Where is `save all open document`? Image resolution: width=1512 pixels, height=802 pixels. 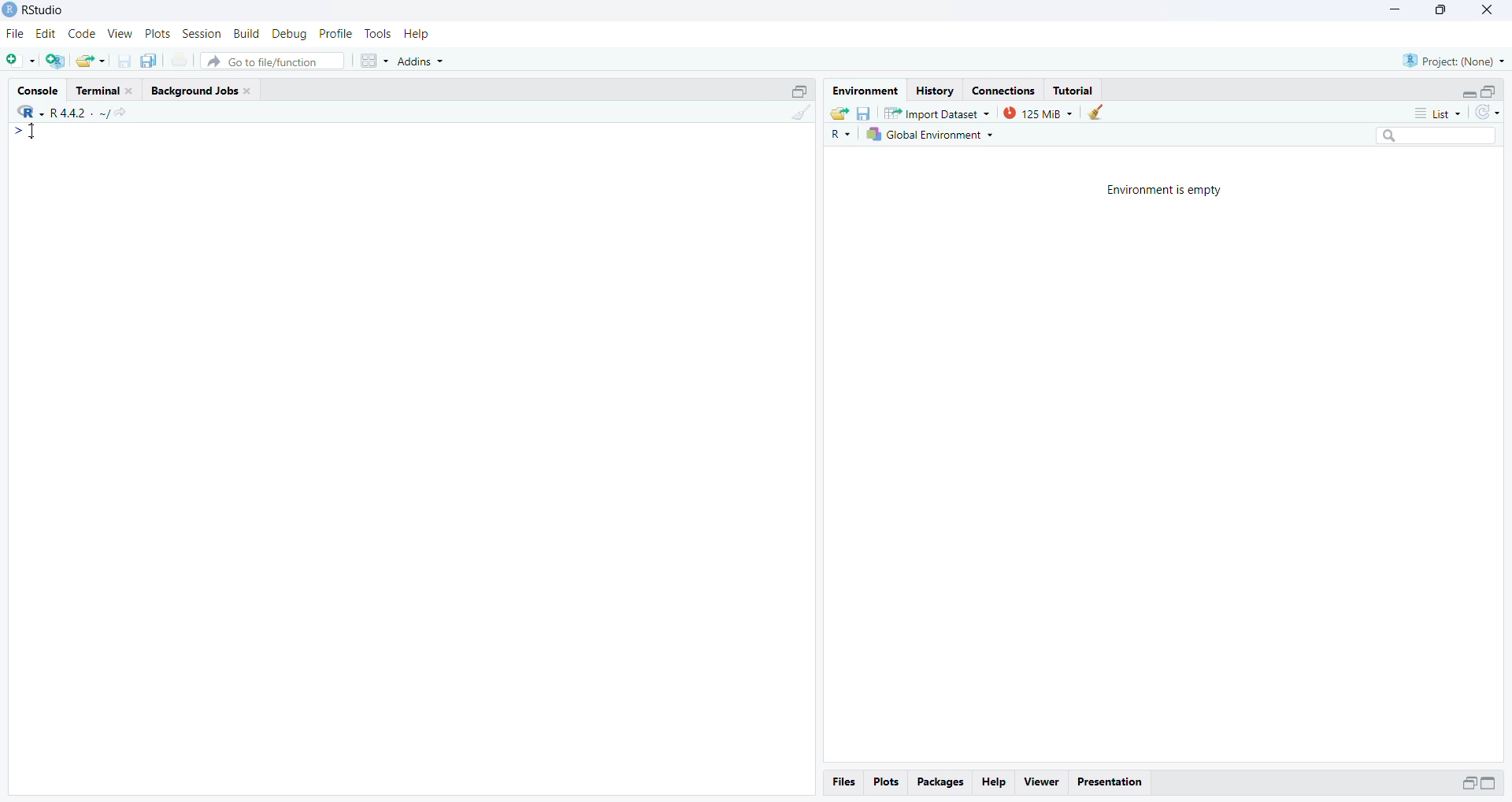
save all open document is located at coordinates (151, 61).